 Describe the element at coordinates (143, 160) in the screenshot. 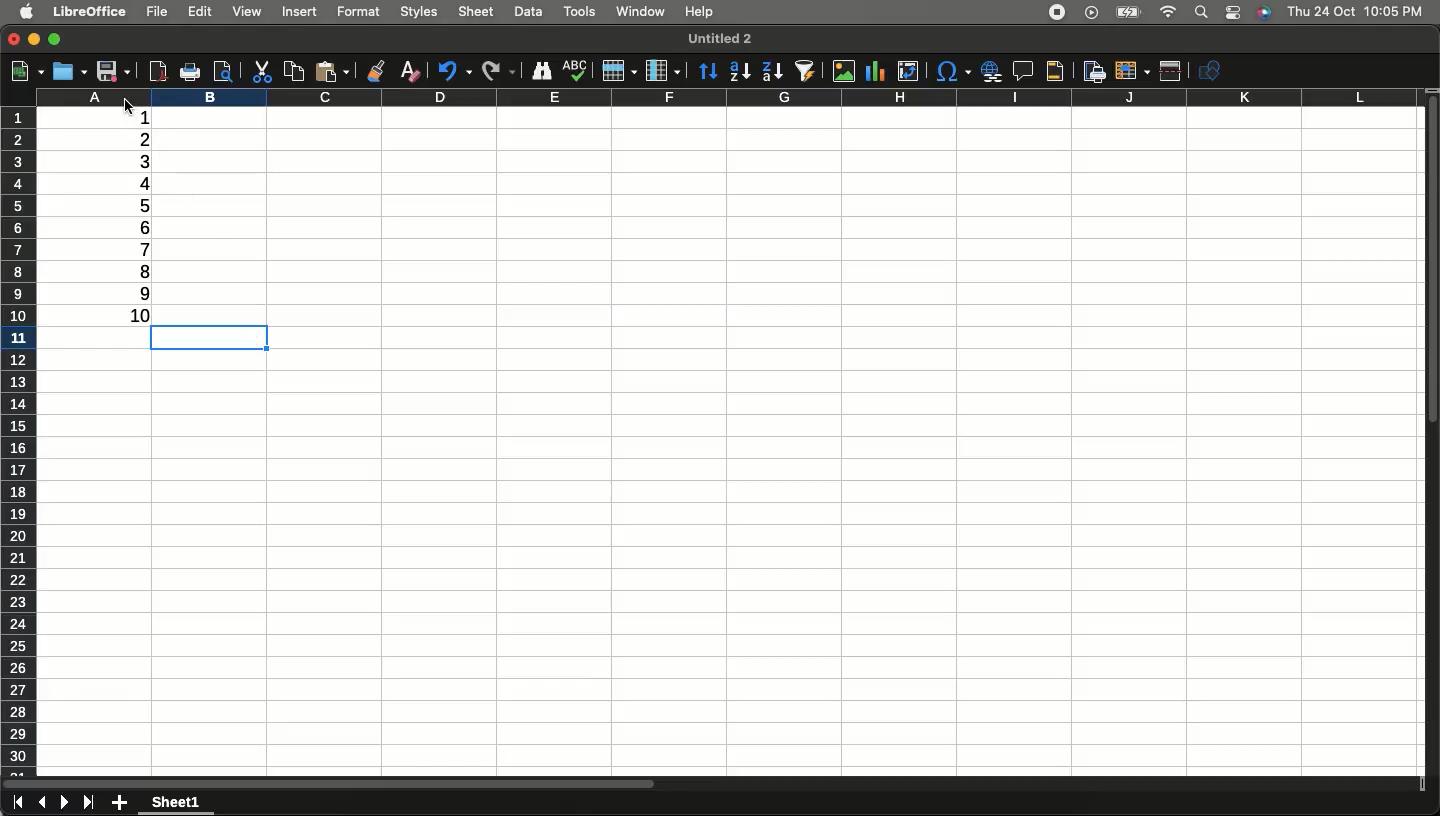

I see `3` at that location.